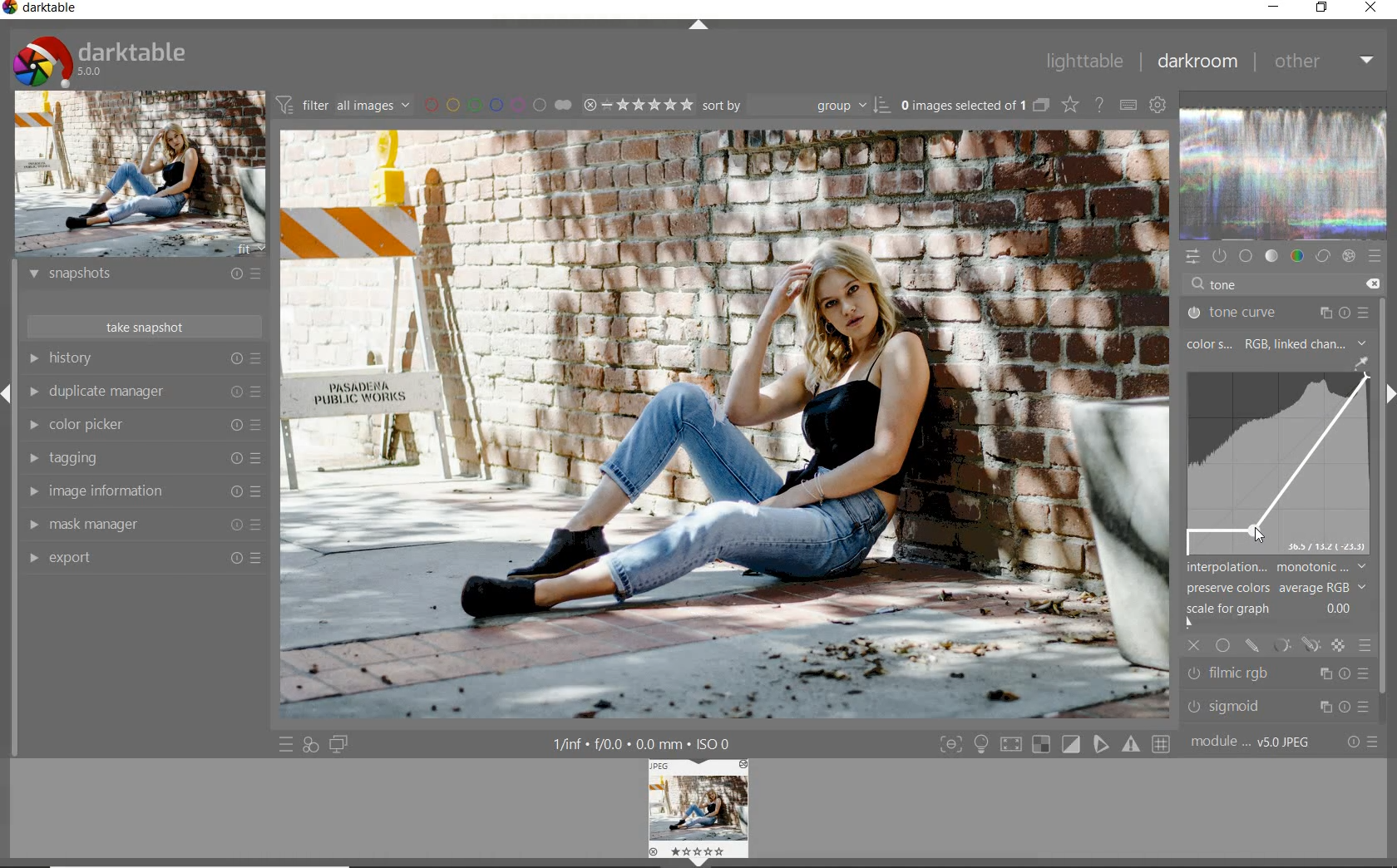 This screenshot has width=1397, height=868. Describe the element at coordinates (141, 523) in the screenshot. I see `mask manager` at that location.